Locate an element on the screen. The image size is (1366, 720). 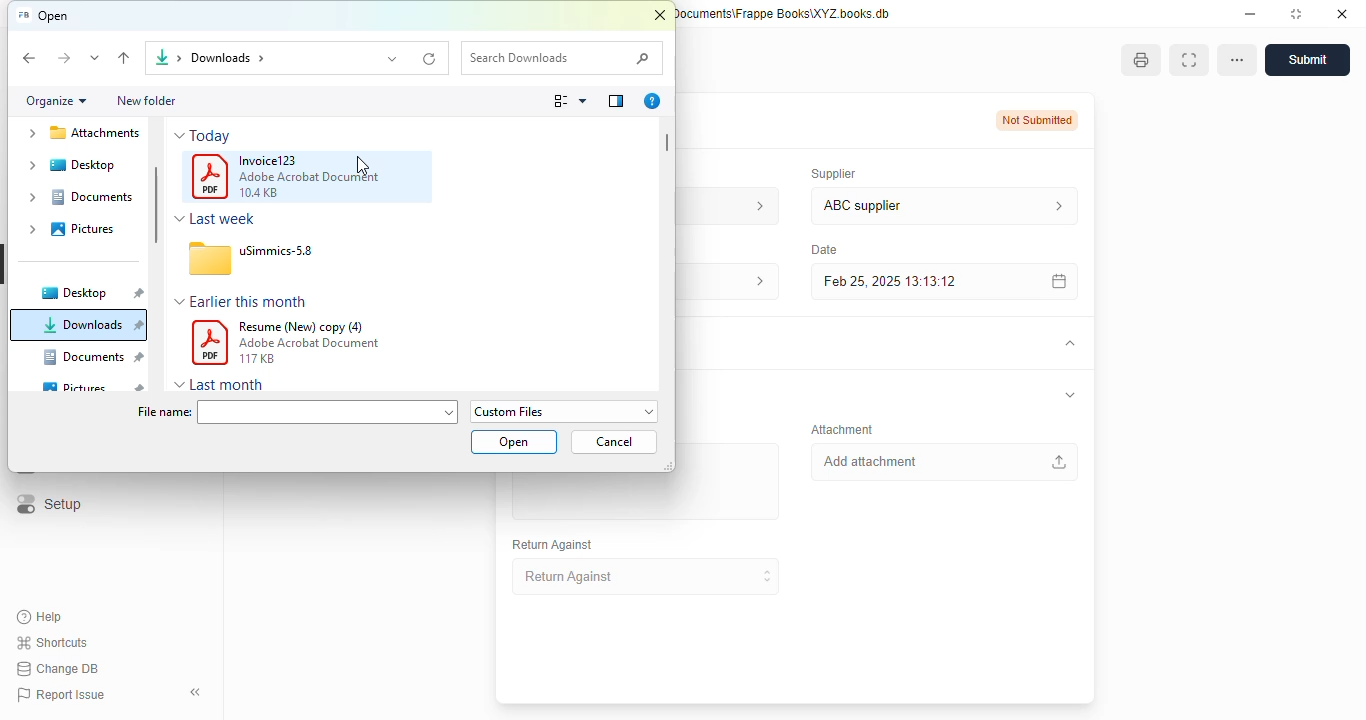
toggle maximize is located at coordinates (1295, 13).